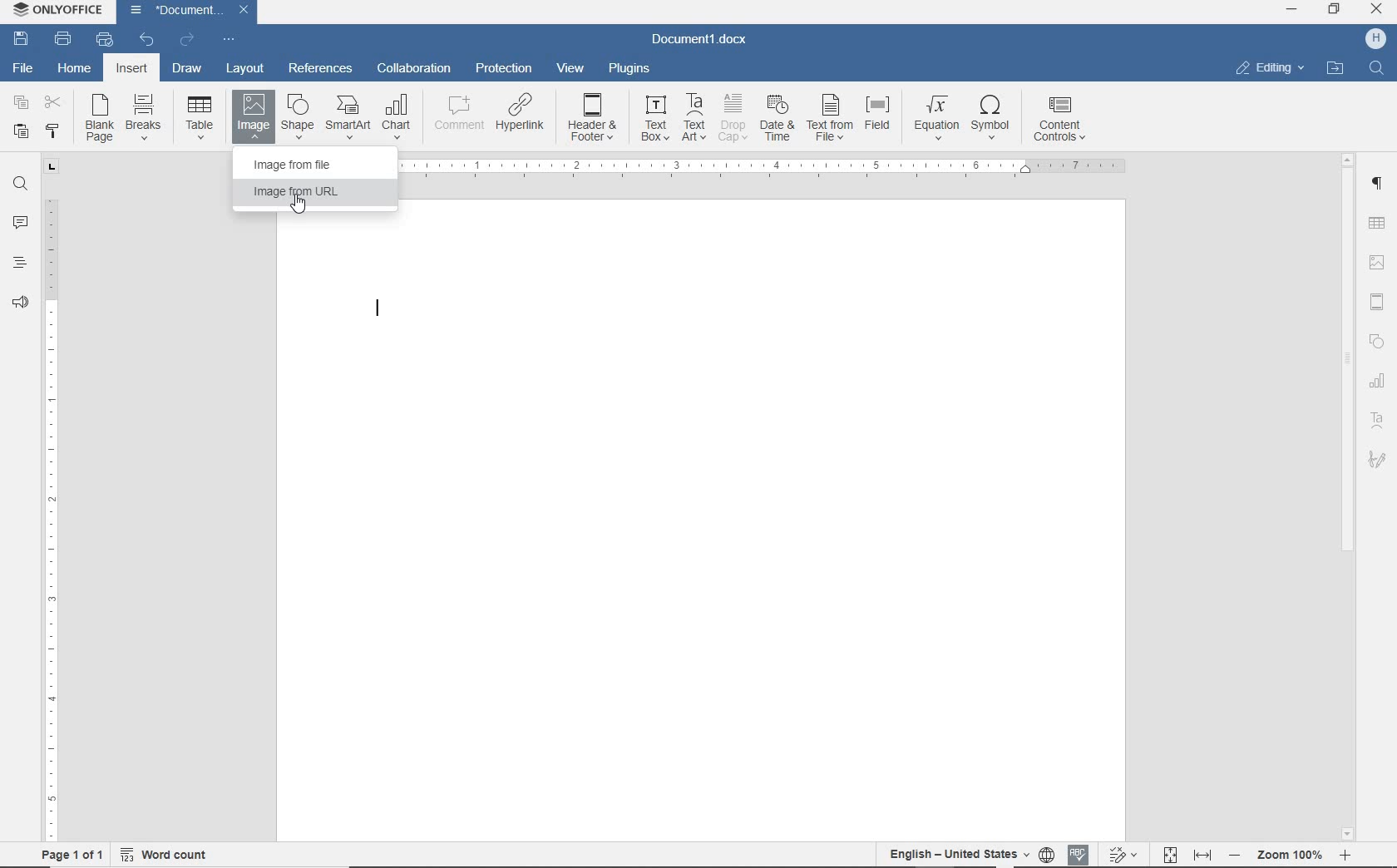 The width and height of the screenshot is (1397, 868). Describe the element at coordinates (398, 117) in the screenshot. I see `chart` at that location.